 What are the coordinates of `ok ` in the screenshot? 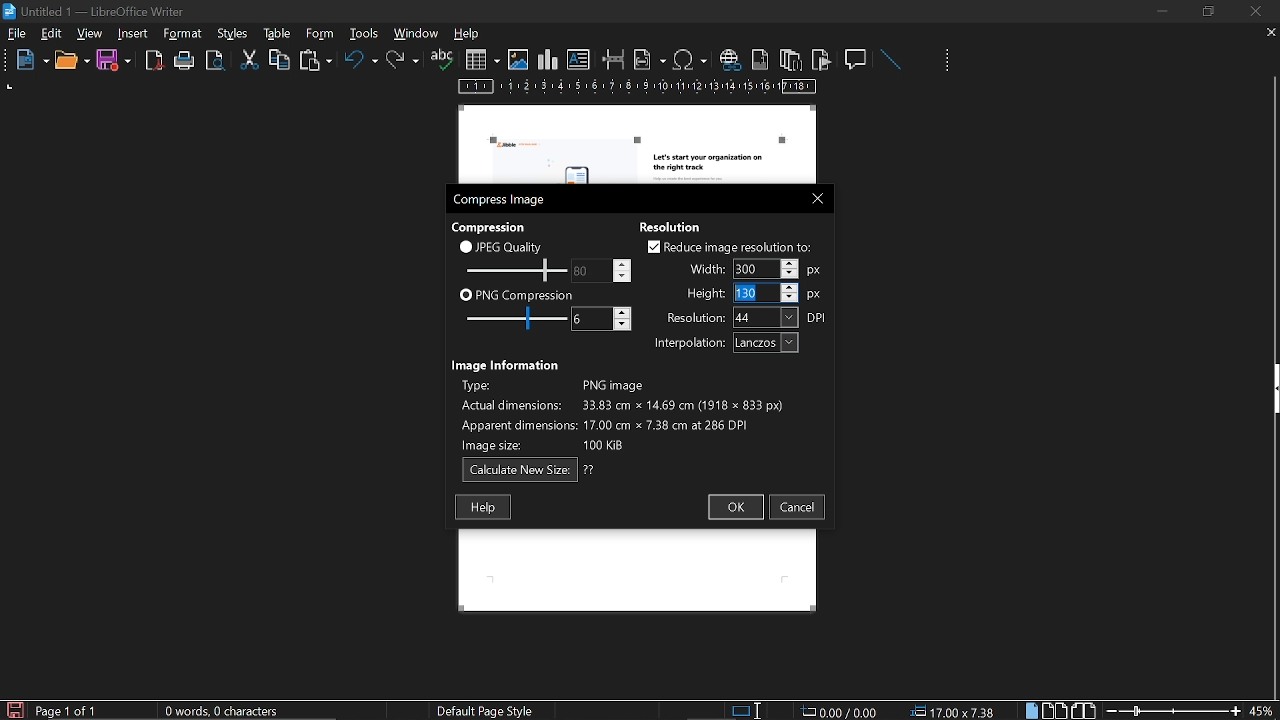 It's located at (734, 508).